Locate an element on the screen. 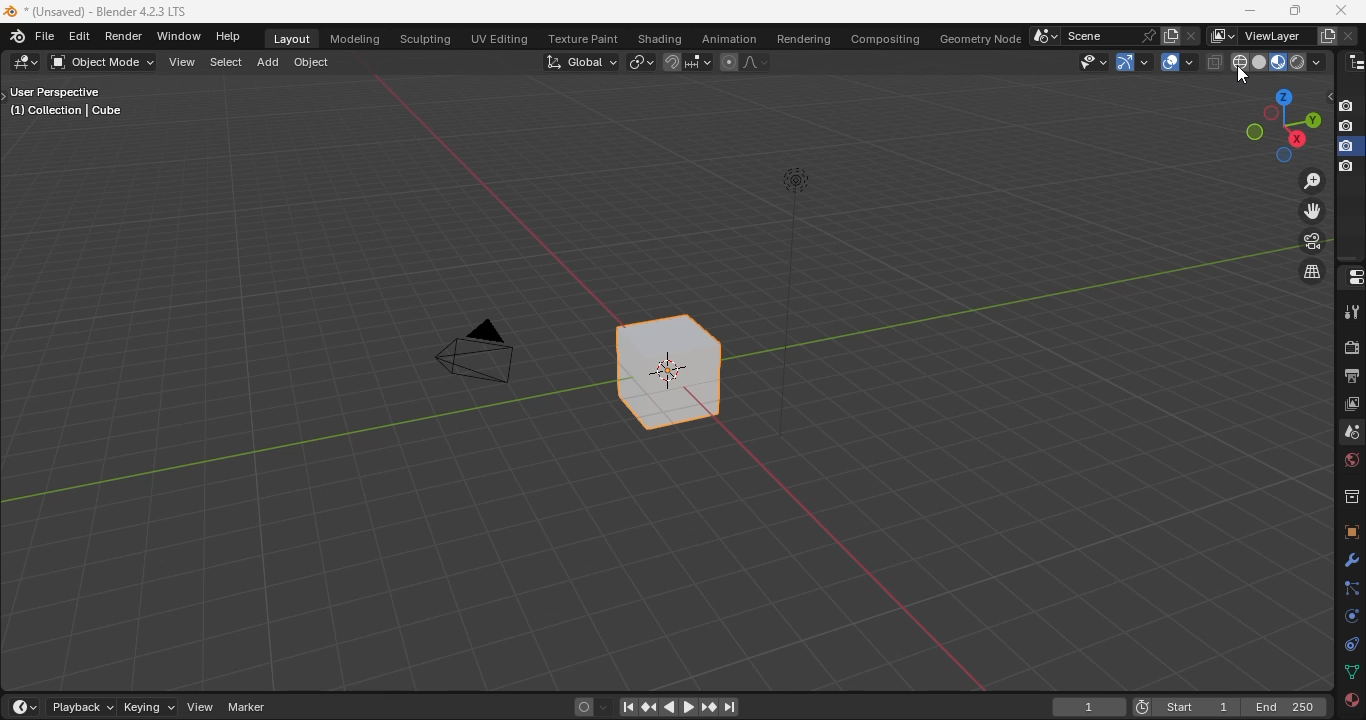 The height and width of the screenshot is (720, 1366). add is located at coordinates (271, 63).